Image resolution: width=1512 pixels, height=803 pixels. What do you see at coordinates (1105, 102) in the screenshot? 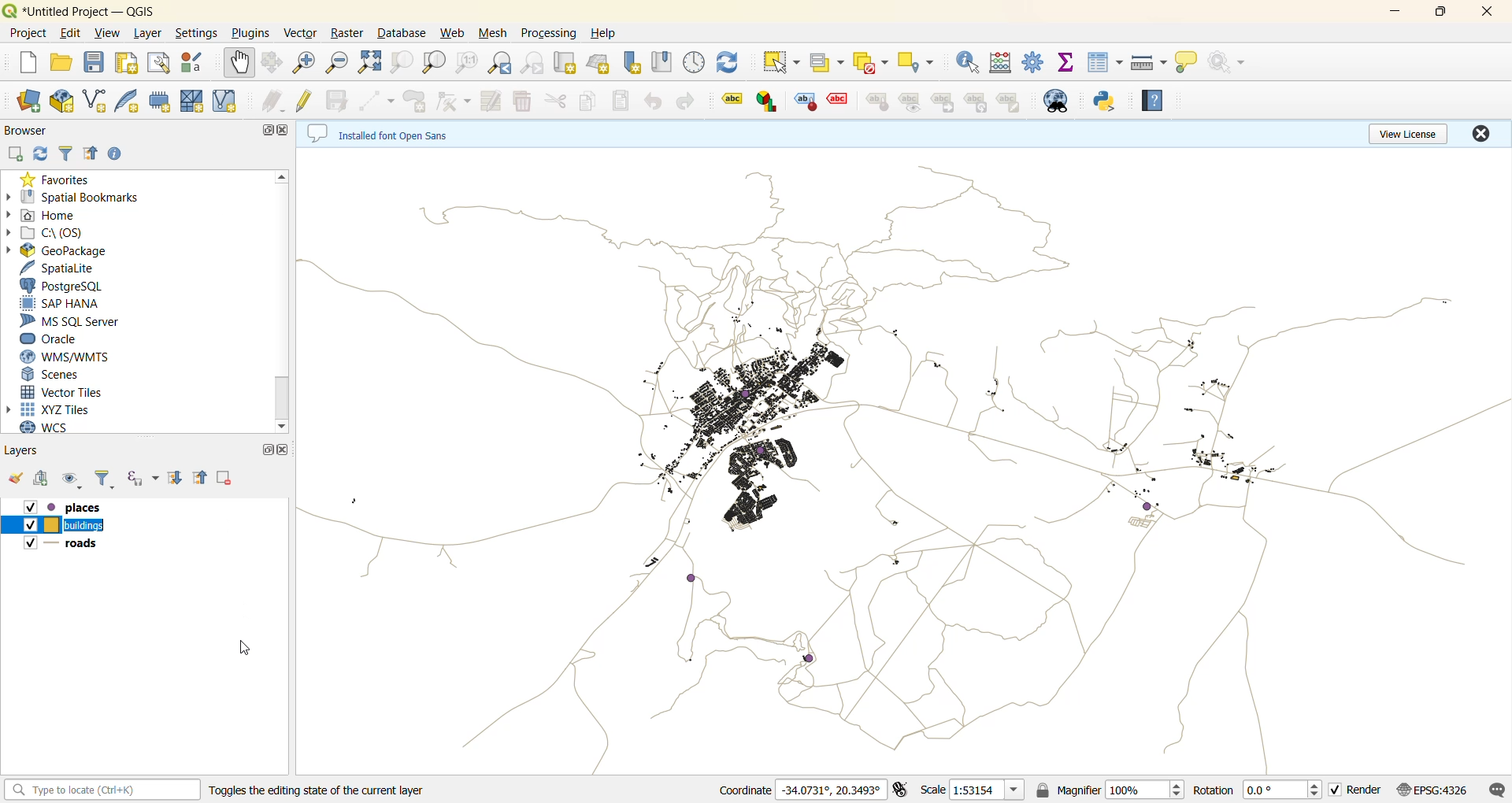
I see `python` at bounding box center [1105, 102].